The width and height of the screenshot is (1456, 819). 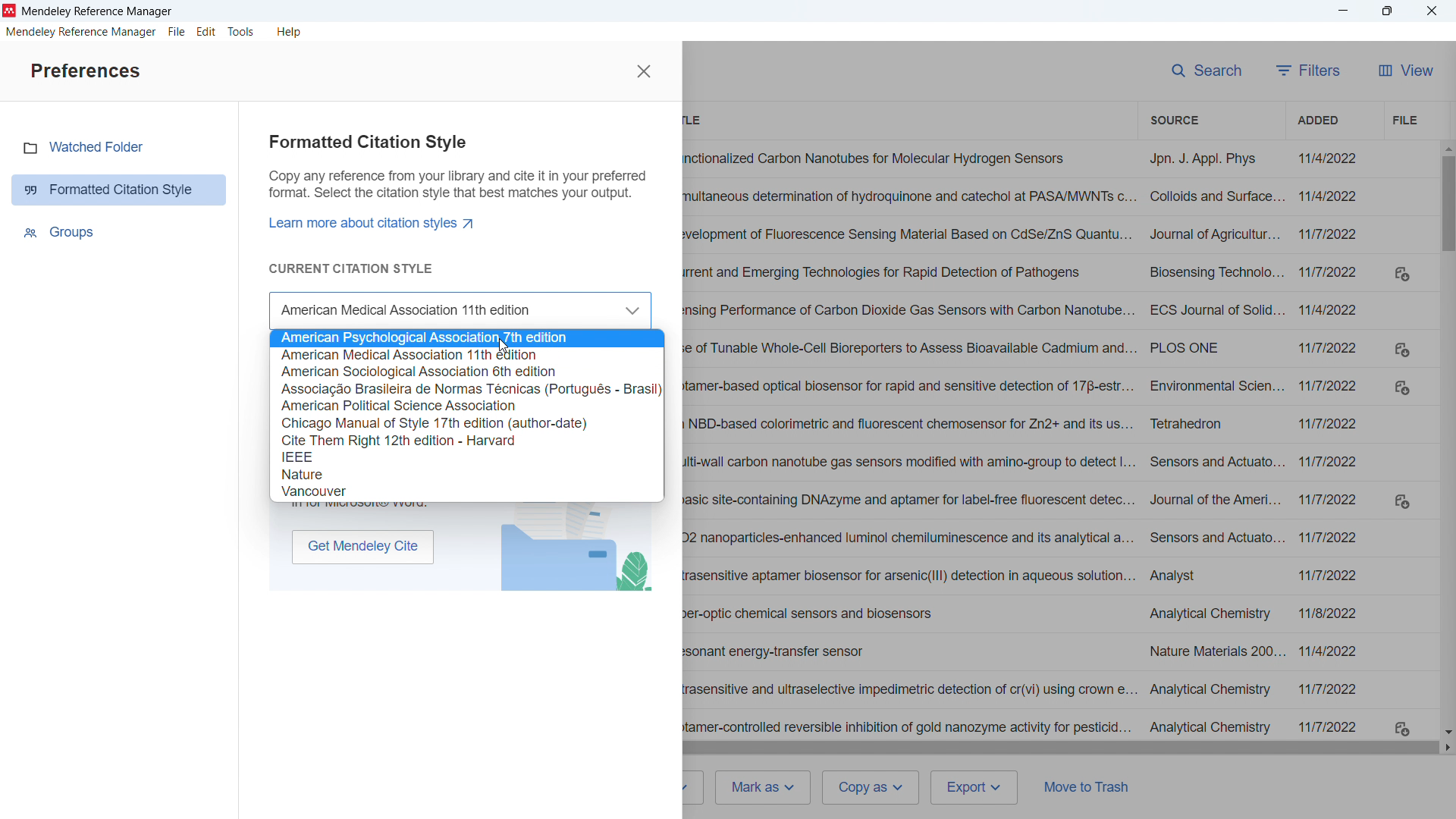 I want to click on Learn more about citation styles , so click(x=377, y=222).